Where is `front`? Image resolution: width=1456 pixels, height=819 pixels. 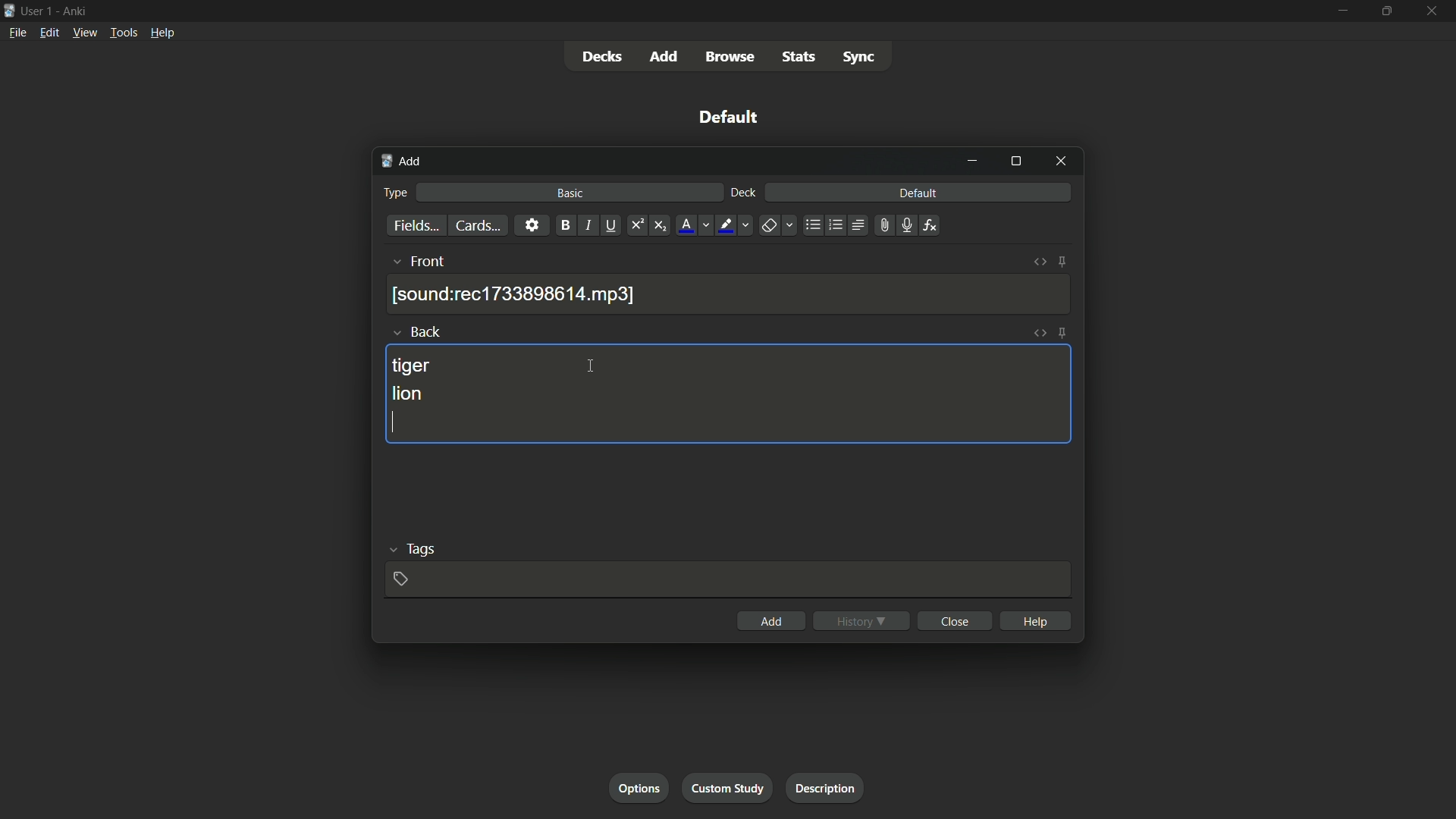
front is located at coordinates (429, 262).